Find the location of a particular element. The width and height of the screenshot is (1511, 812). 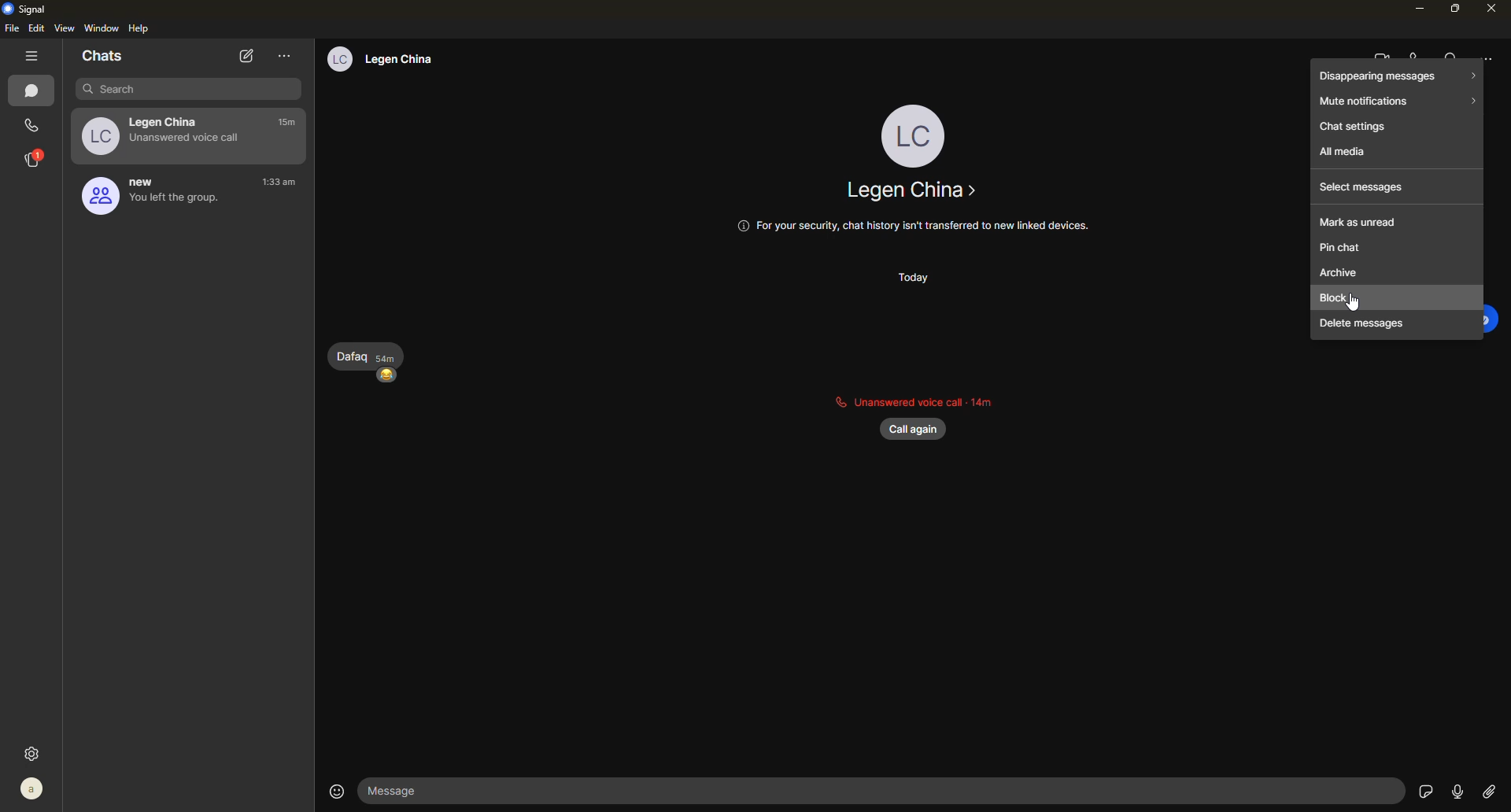

Message is located at coordinates (873, 792).